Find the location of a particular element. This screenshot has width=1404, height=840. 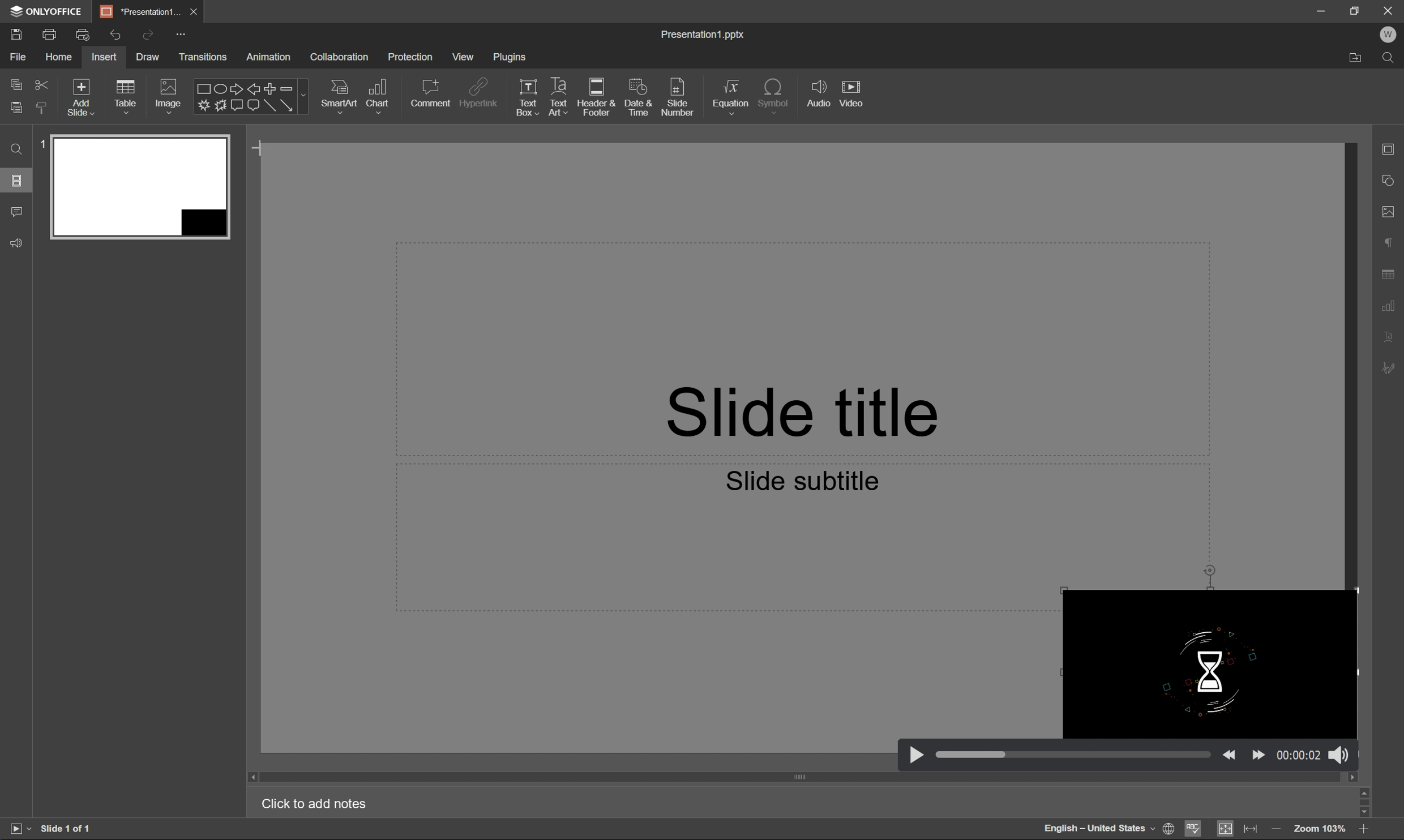

slide 1 of 1 is located at coordinates (73, 829).